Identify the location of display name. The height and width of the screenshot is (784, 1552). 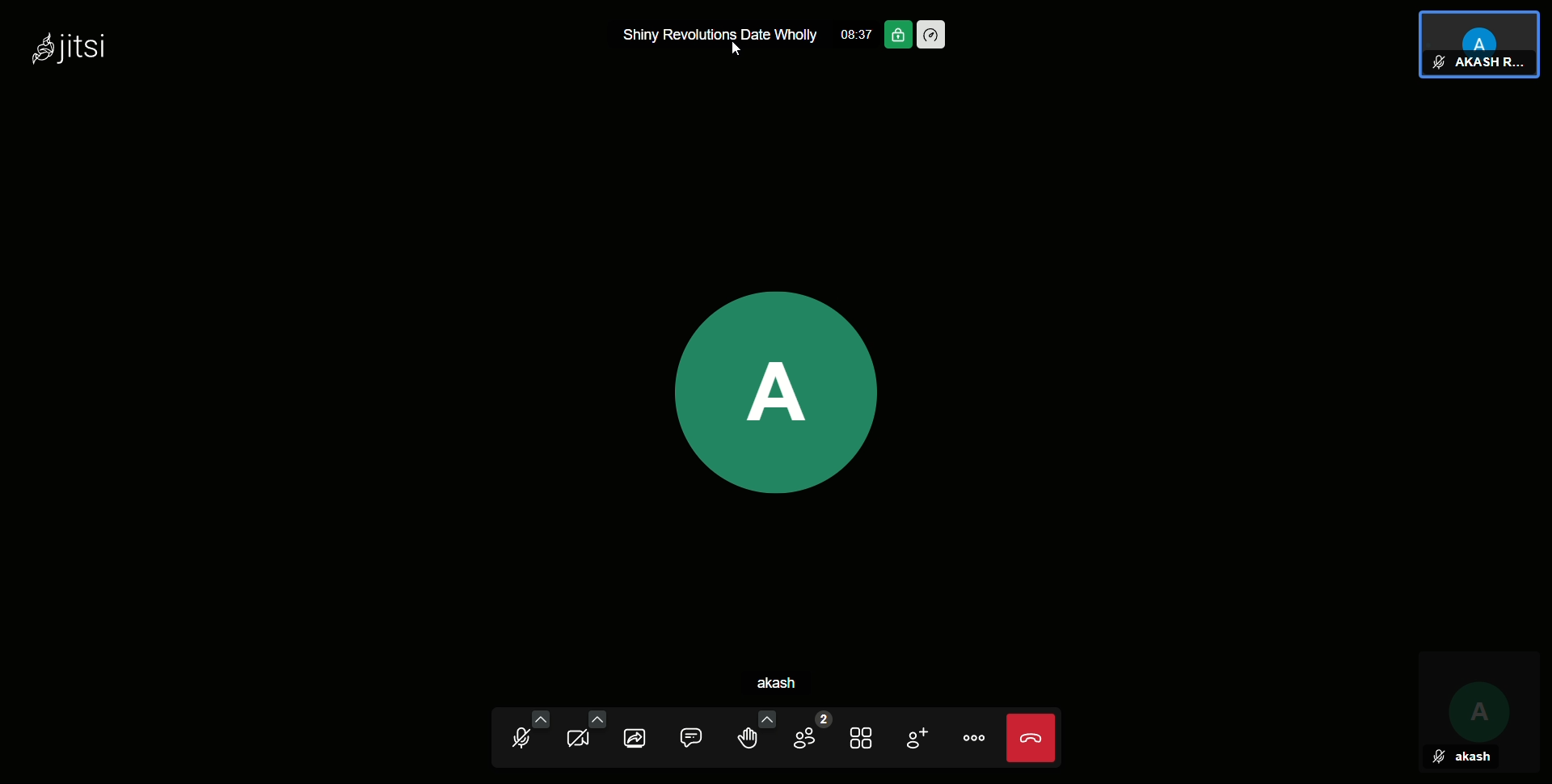
(794, 683).